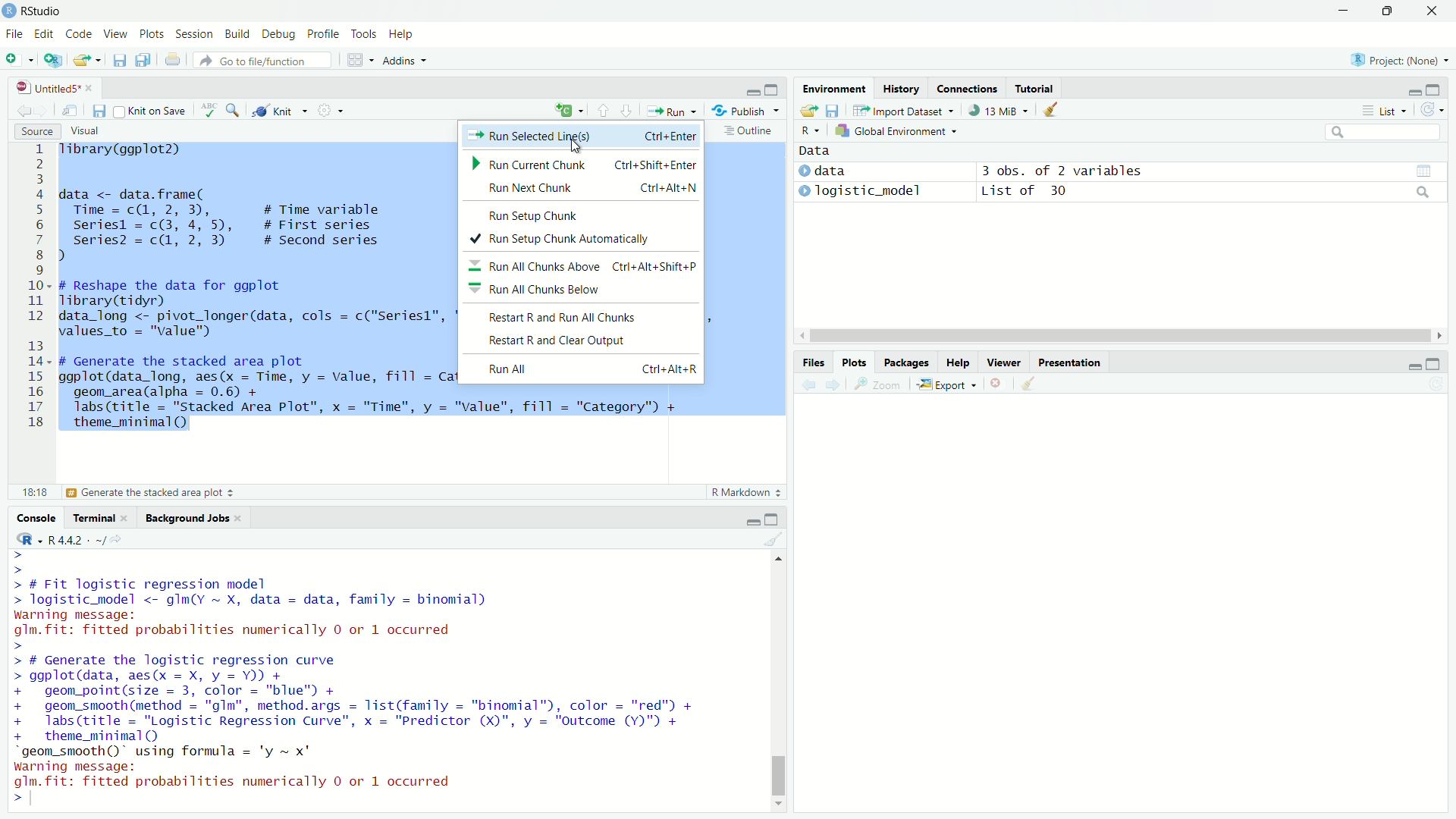 The width and height of the screenshot is (1456, 819). Describe the element at coordinates (188, 519) in the screenshot. I see `Background Jobs` at that location.